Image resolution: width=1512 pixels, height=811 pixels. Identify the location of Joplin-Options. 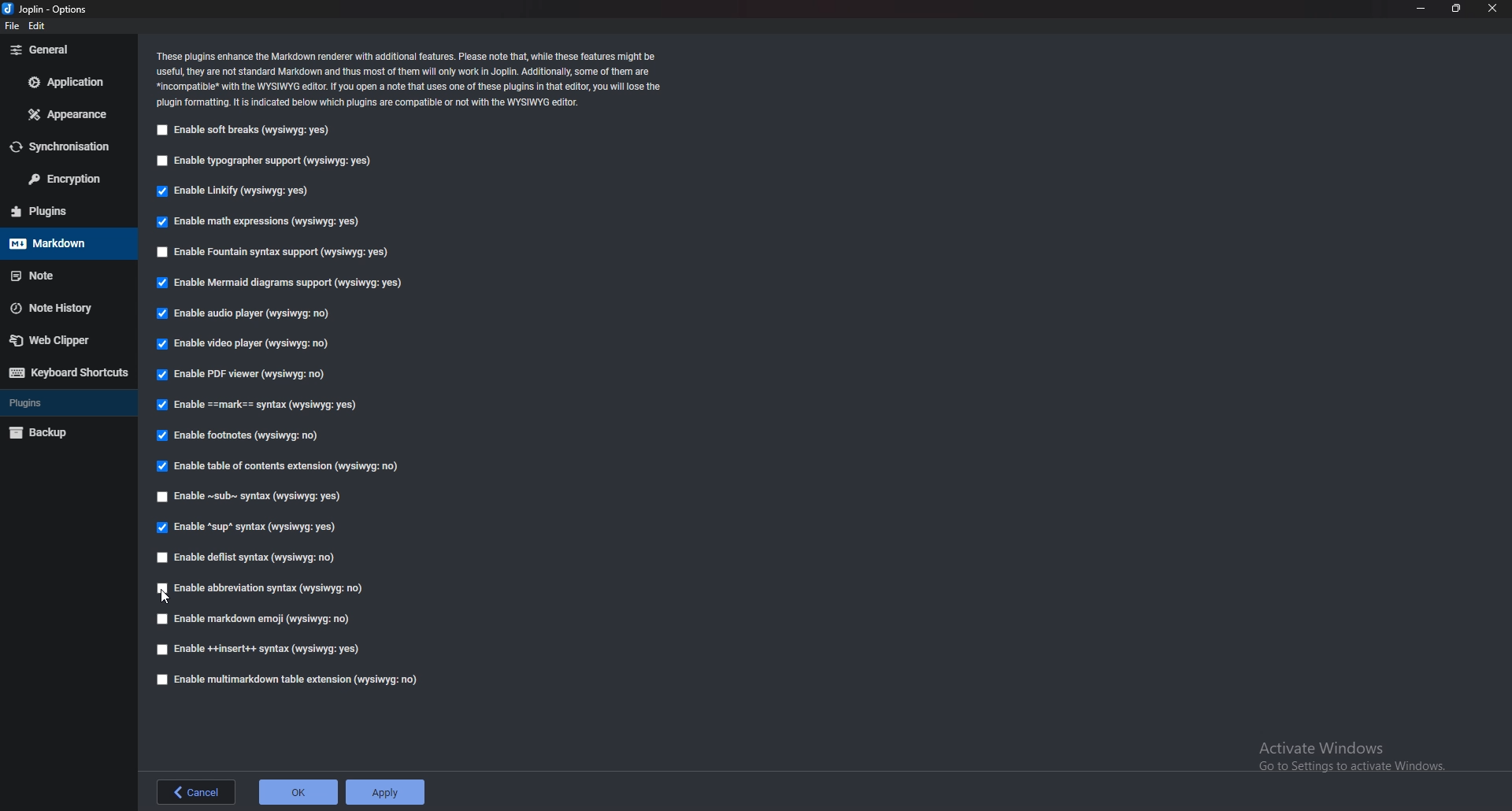
(46, 9).